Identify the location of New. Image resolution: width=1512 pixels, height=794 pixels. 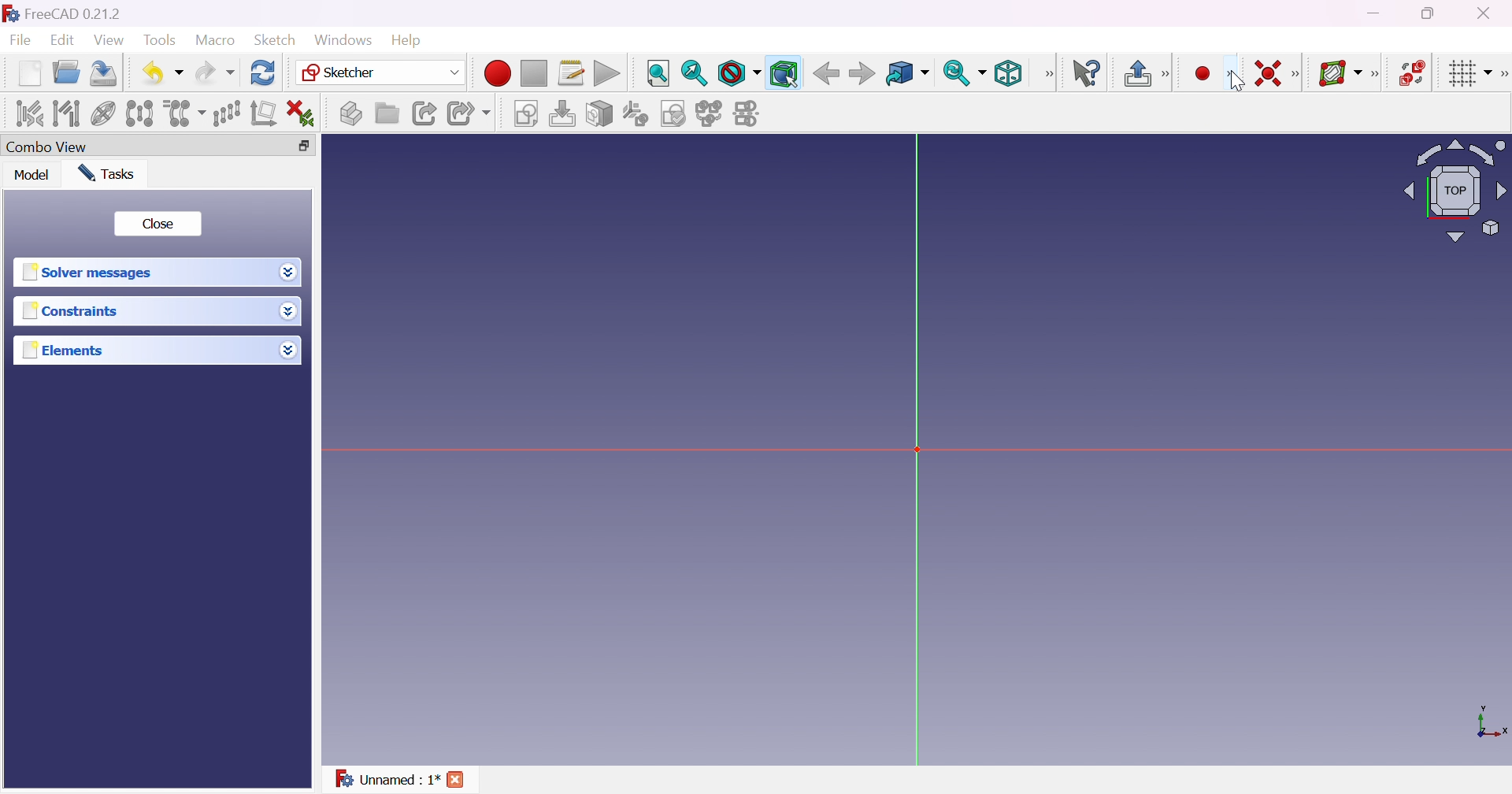
(29, 73).